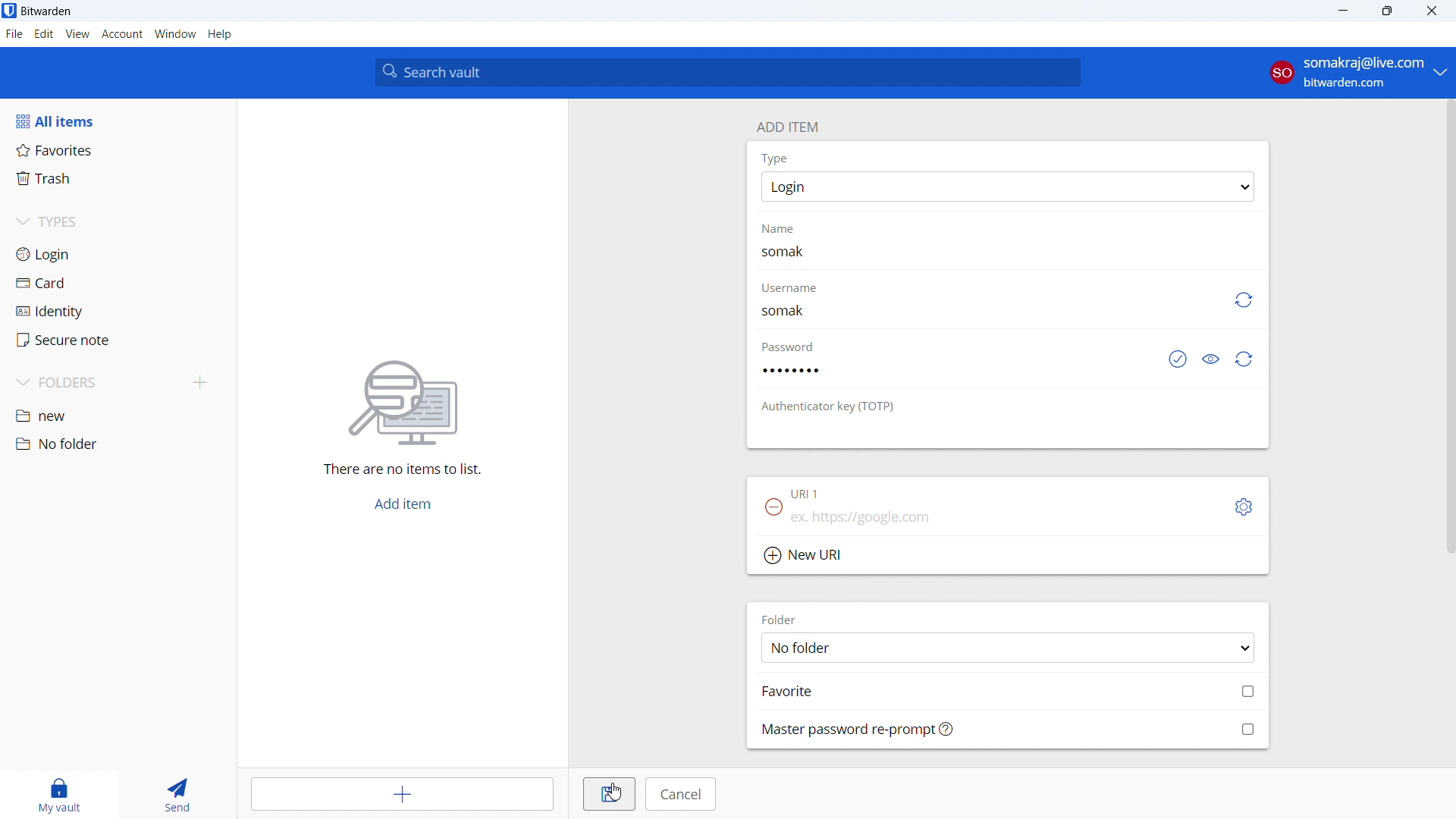 The image size is (1456, 819). Describe the element at coordinates (1447, 328) in the screenshot. I see `SCROLL BAR` at that location.